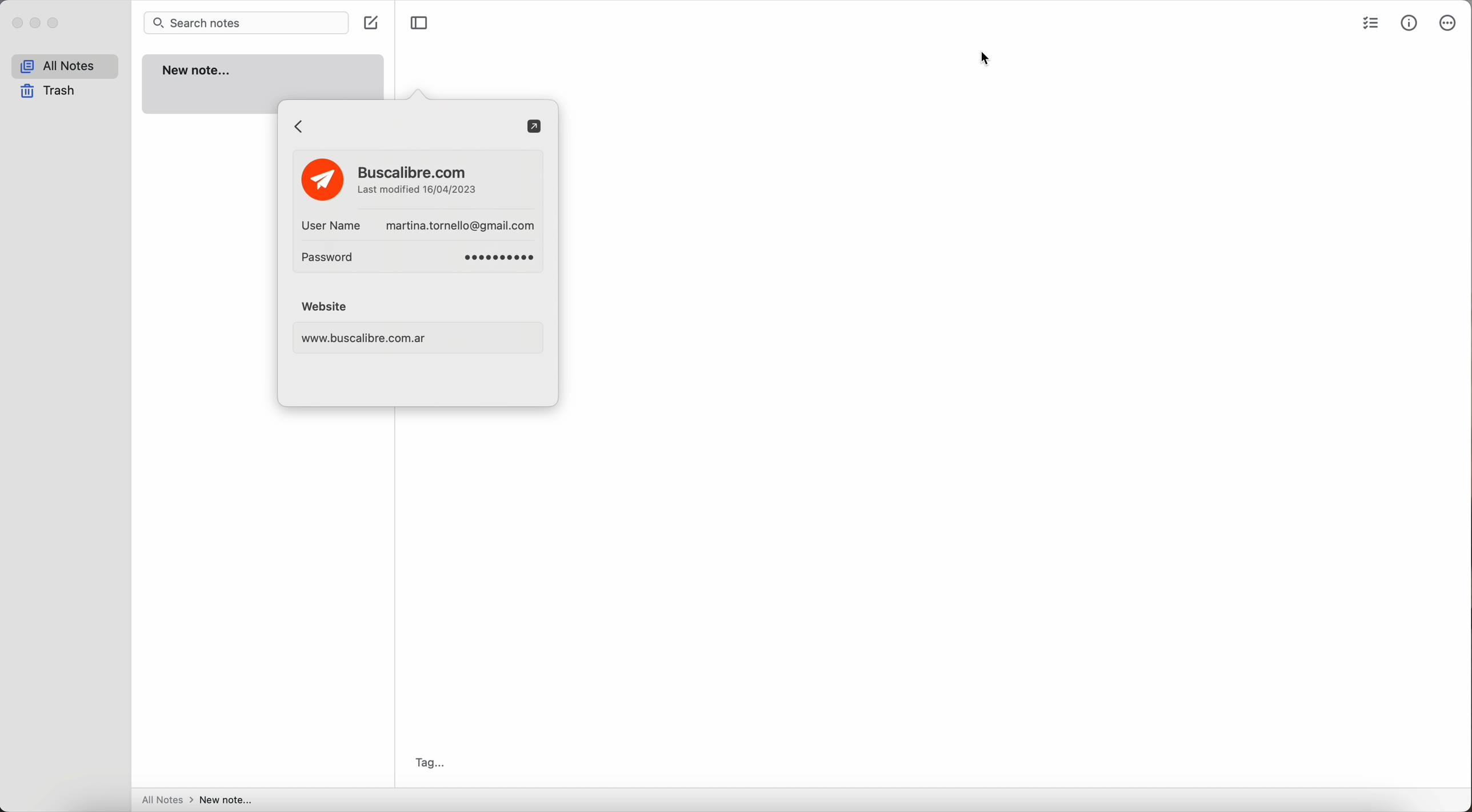 This screenshot has height=812, width=1472. What do you see at coordinates (535, 127) in the screenshot?
I see `open in passwords` at bounding box center [535, 127].